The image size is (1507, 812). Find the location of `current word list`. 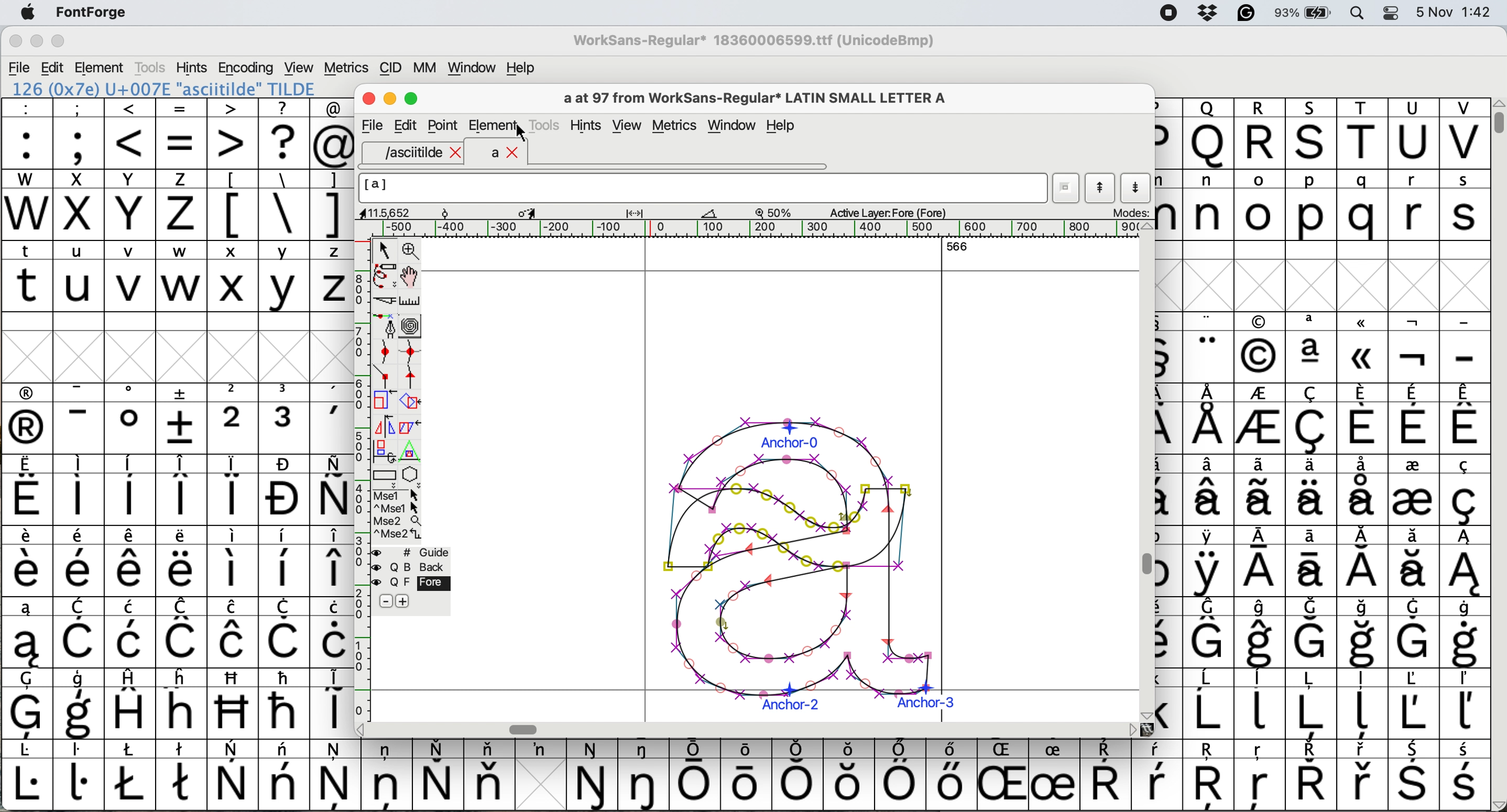

current word list is located at coordinates (1066, 190).